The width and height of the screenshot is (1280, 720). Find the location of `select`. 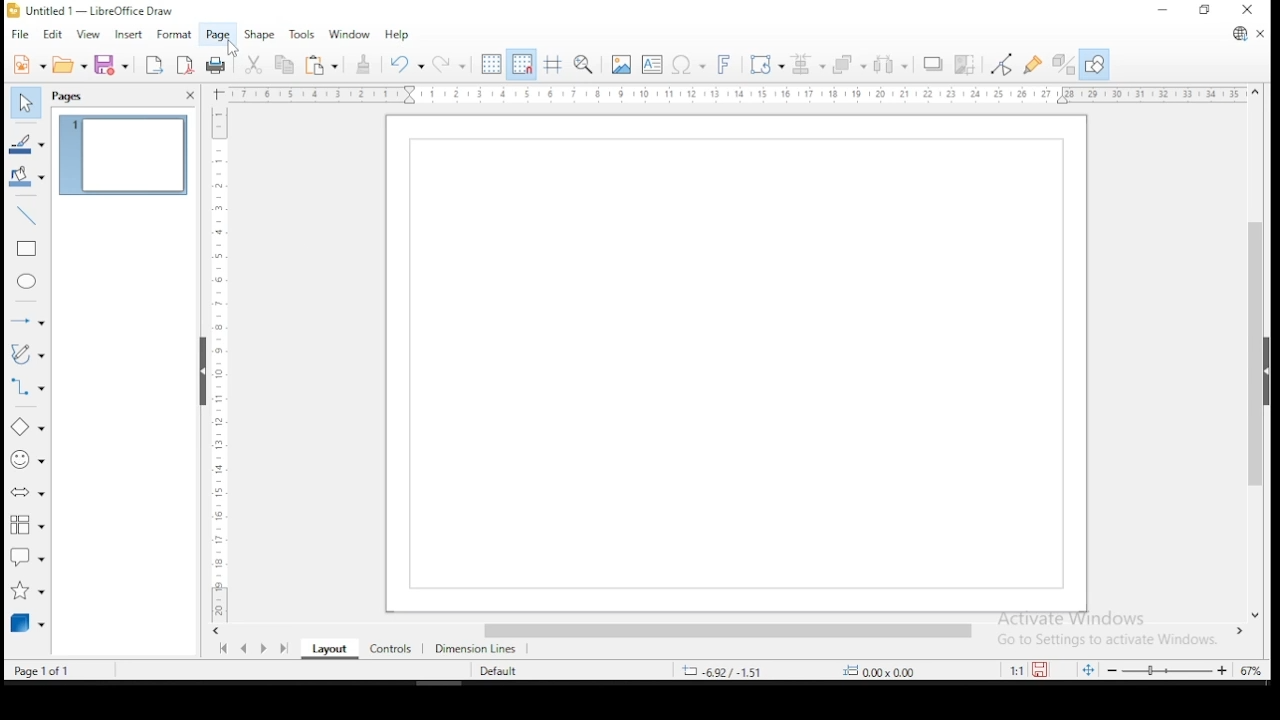

select is located at coordinates (29, 103).